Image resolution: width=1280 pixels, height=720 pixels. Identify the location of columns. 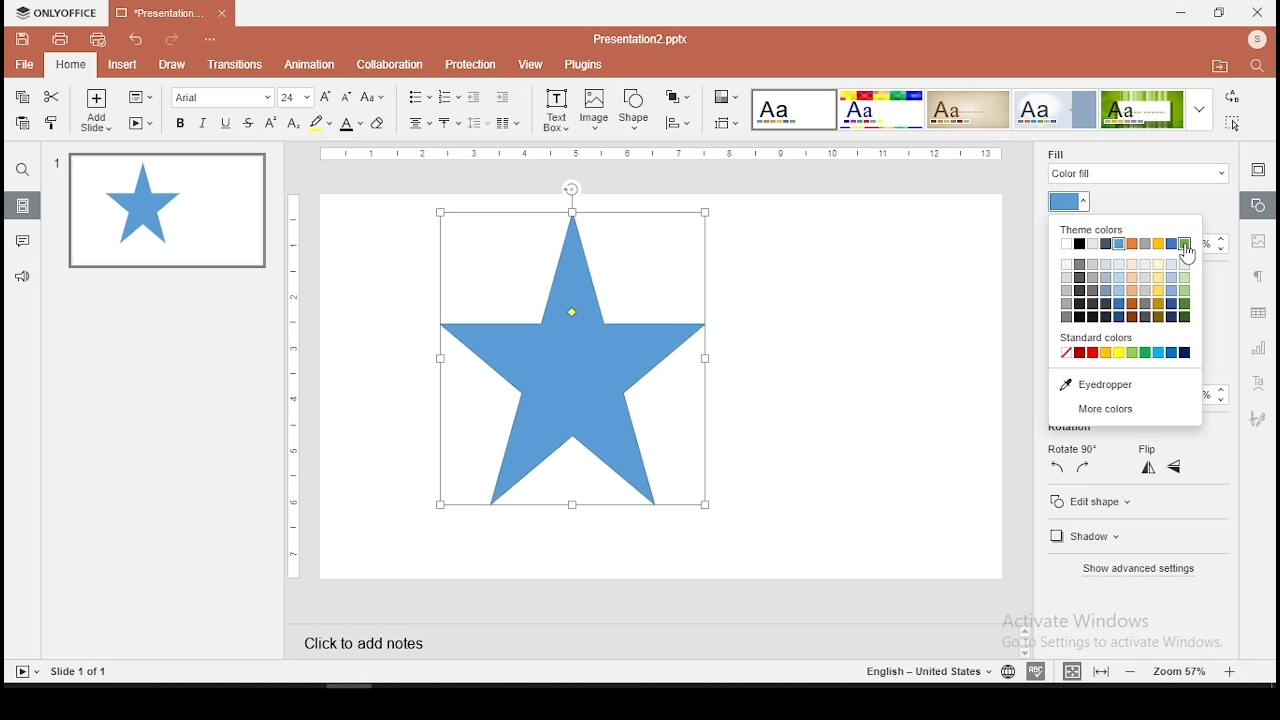
(506, 122).